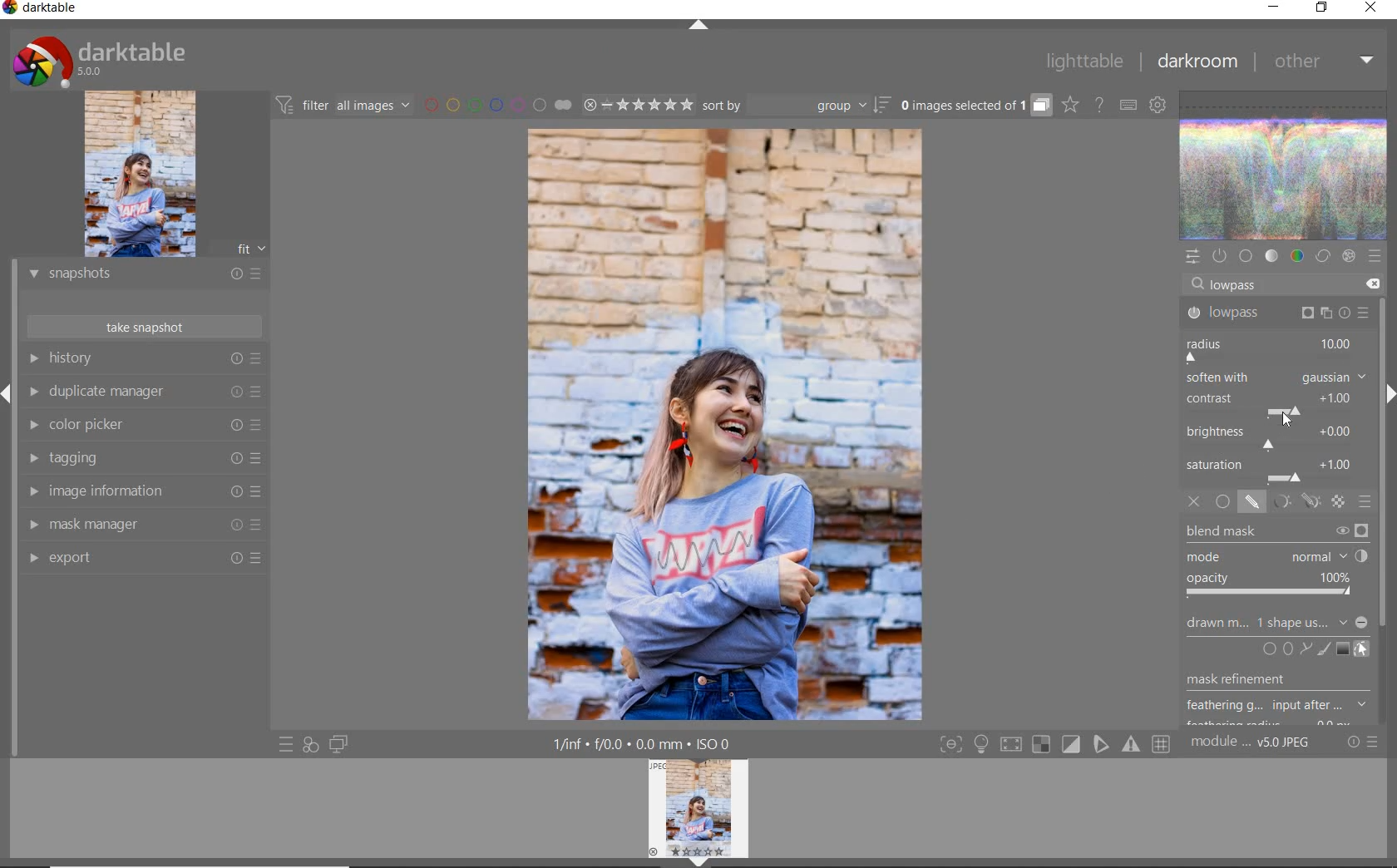 The image size is (1397, 868). Describe the element at coordinates (141, 427) in the screenshot. I see `color picker` at that location.